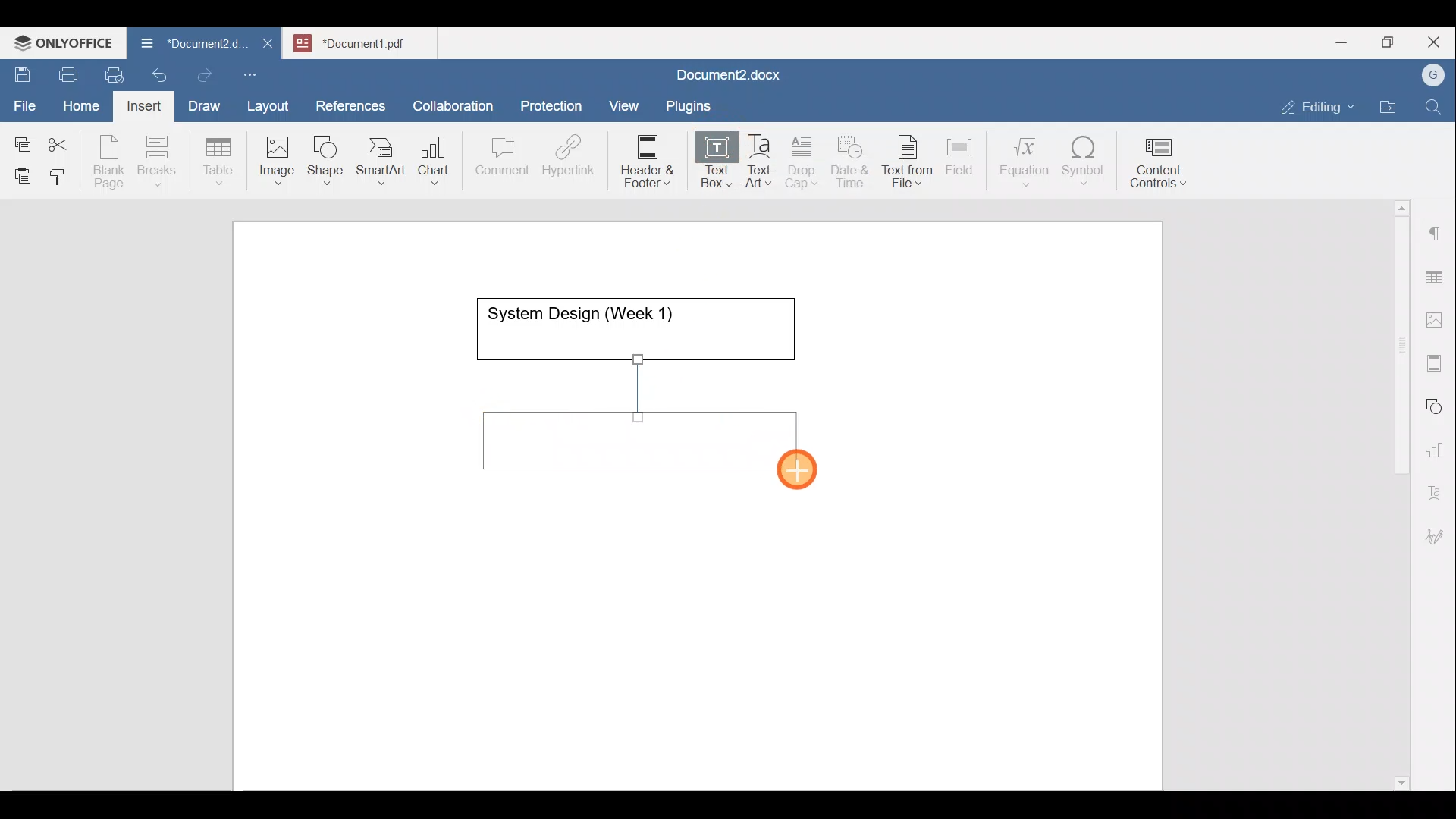 This screenshot has height=819, width=1456. I want to click on Image, so click(281, 155).